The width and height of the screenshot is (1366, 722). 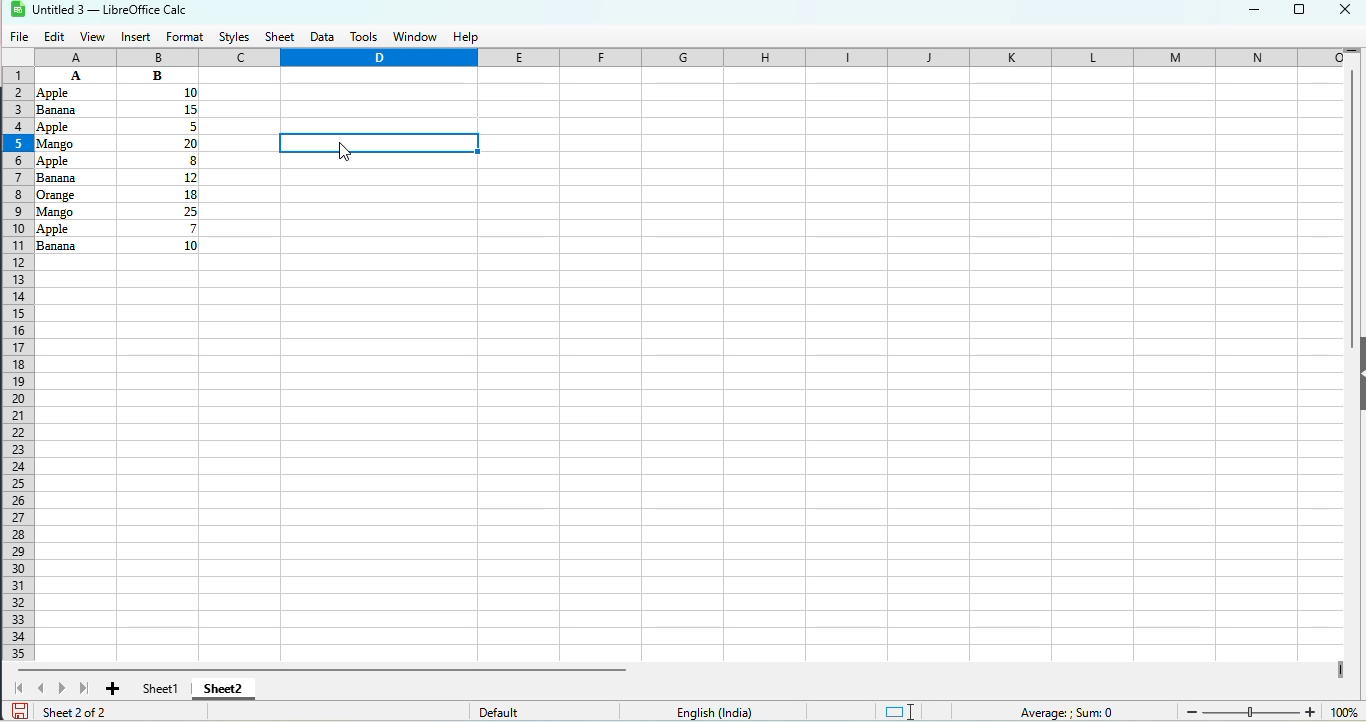 What do you see at coordinates (20, 712) in the screenshot?
I see `click to save document` at bounding box center [20, 712].